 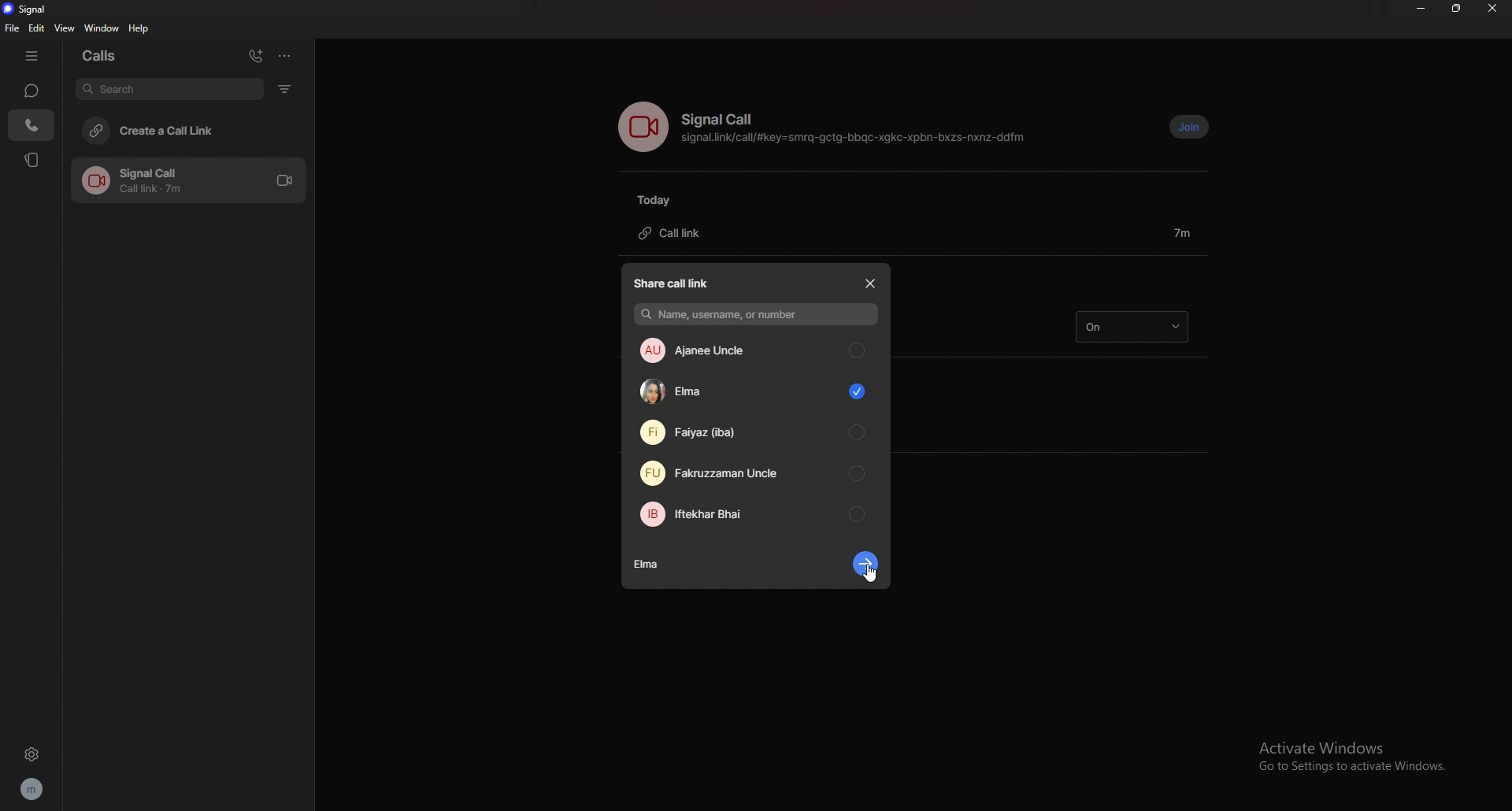 I want to click on calls, so click(x=108, y=56).